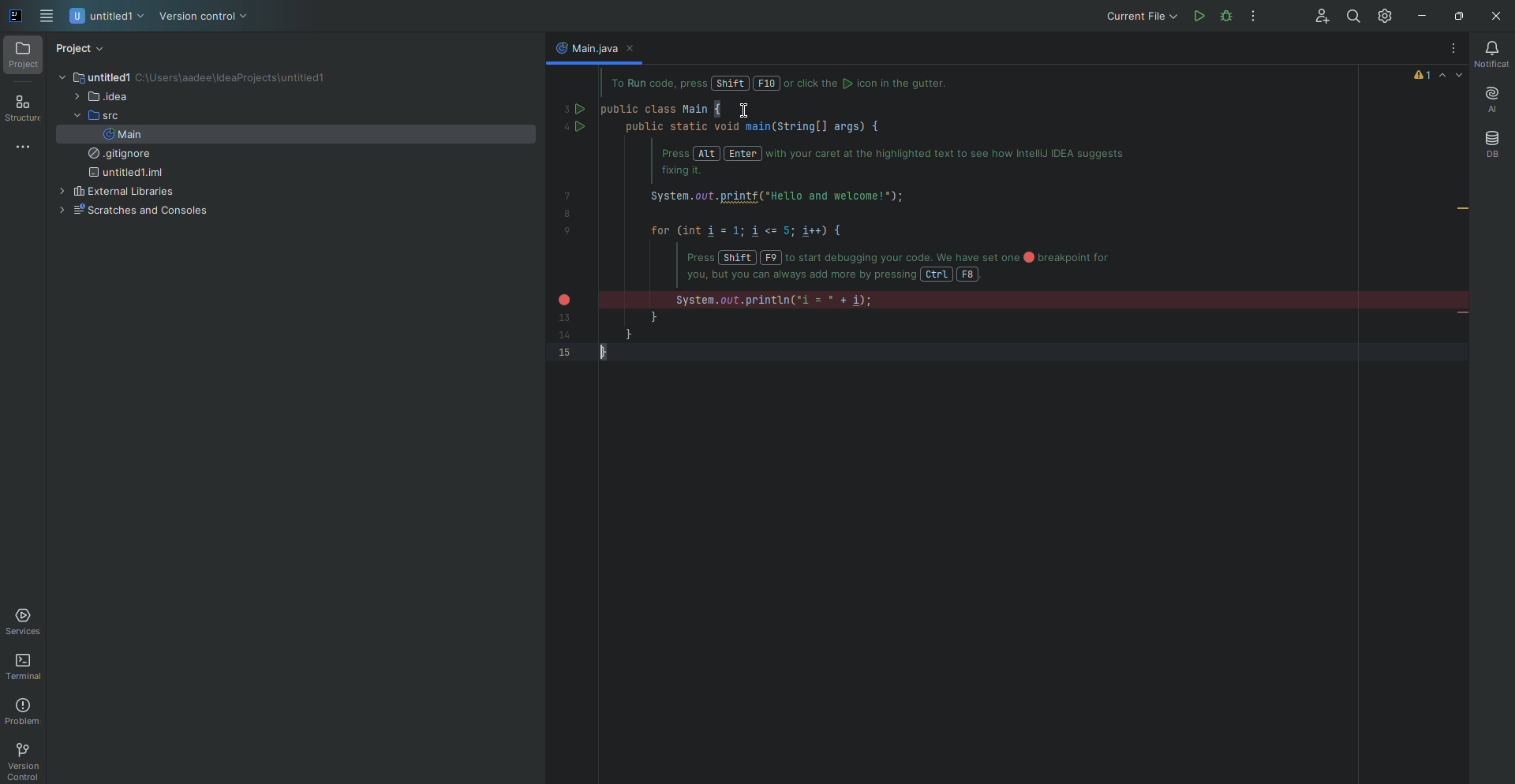 This screenshot has width=1515, height=784. What do you see at coordinates (1491, 144) in the screenshot?
I see `Database` at bounding box center [1491, 144].